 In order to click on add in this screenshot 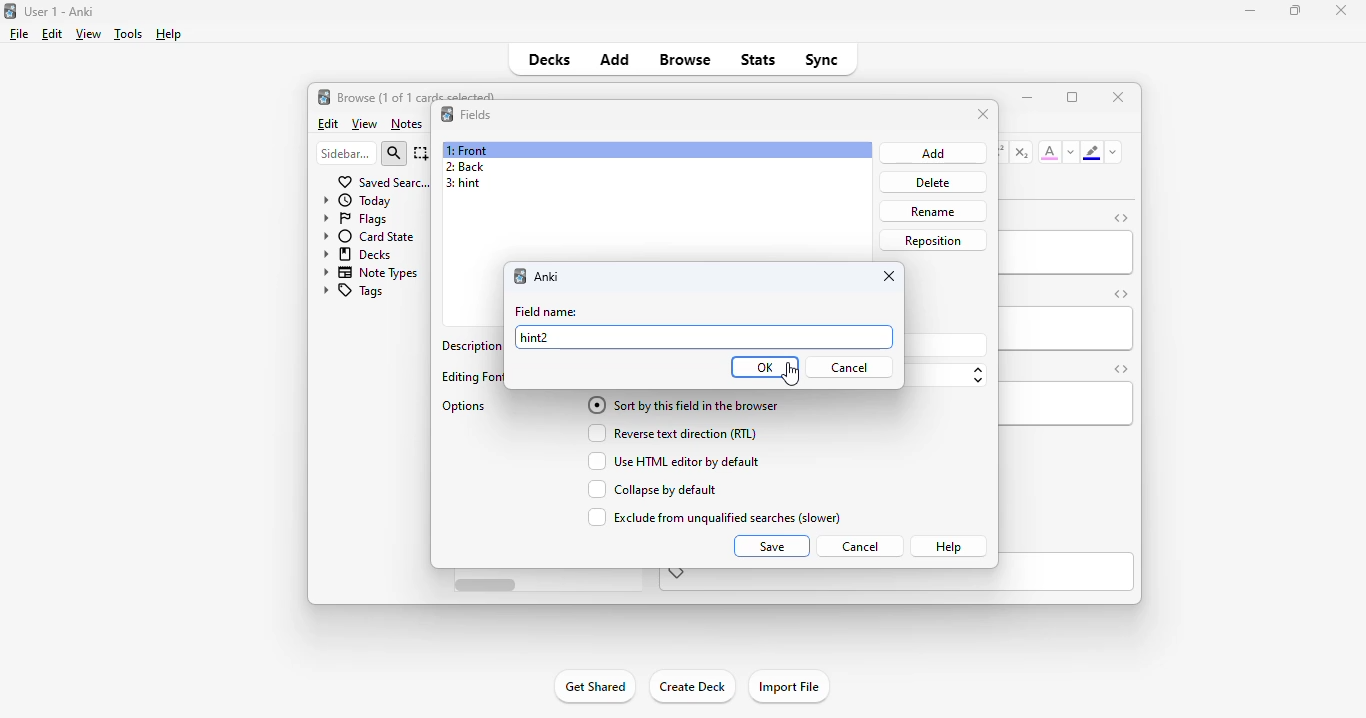, I will do `click(615, 58)`.